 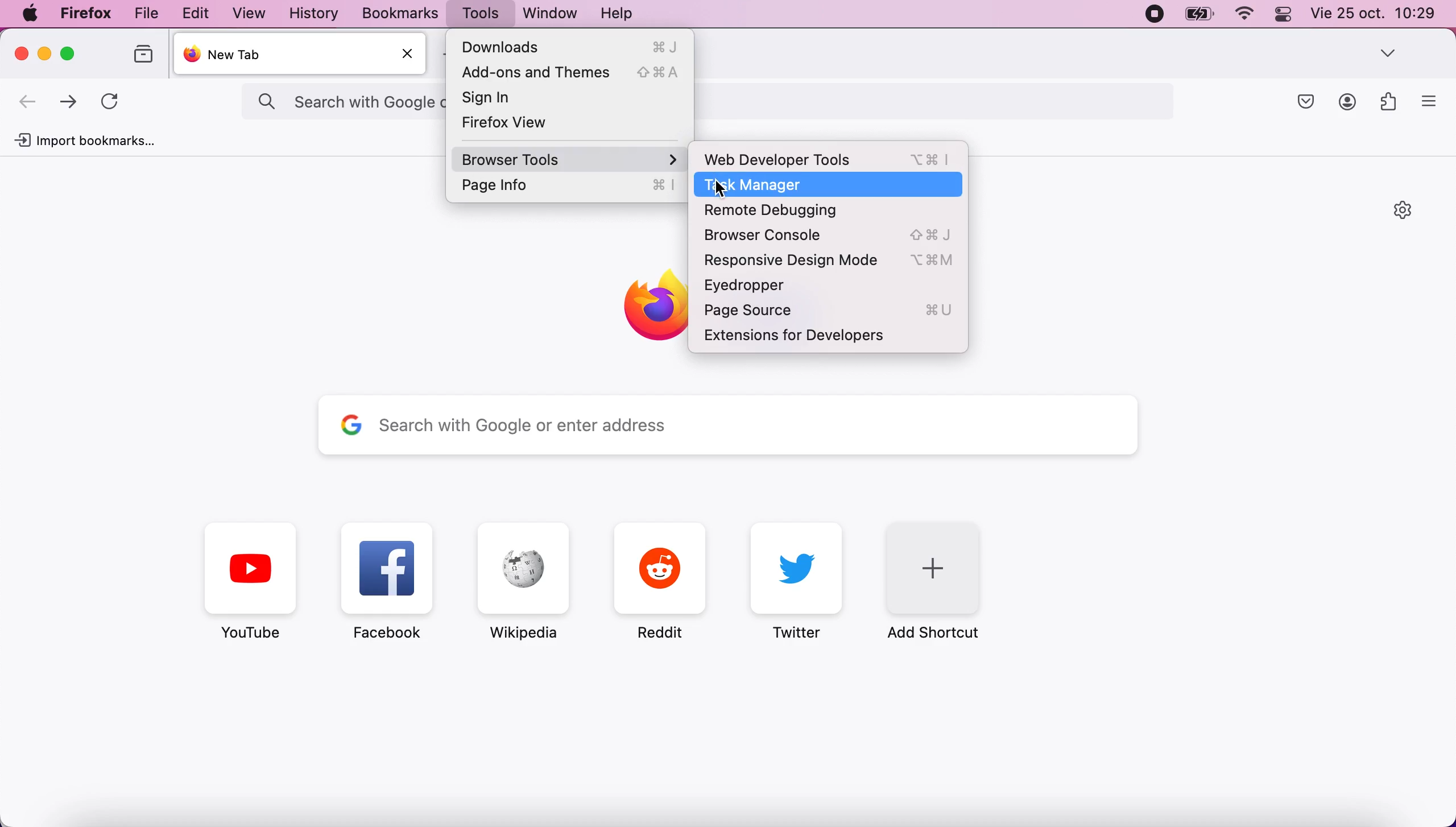 I want to click on Search bar, so click(x=731, y=424).